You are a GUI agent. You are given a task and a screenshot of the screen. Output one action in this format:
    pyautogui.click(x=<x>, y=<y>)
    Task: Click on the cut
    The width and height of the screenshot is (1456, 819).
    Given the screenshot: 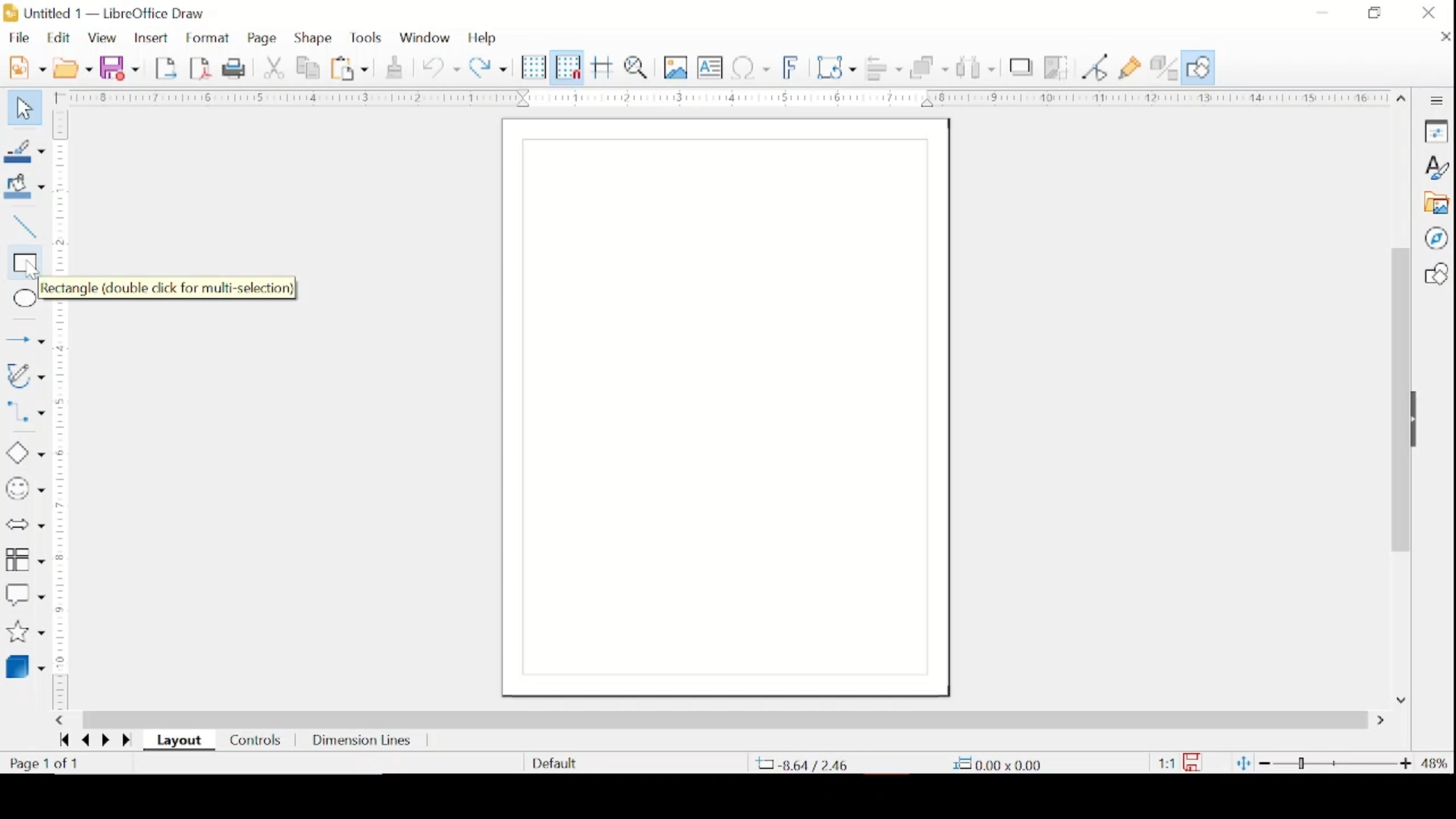 What is the action you would take?
    pyautogui.click(x=275, y=67)
    